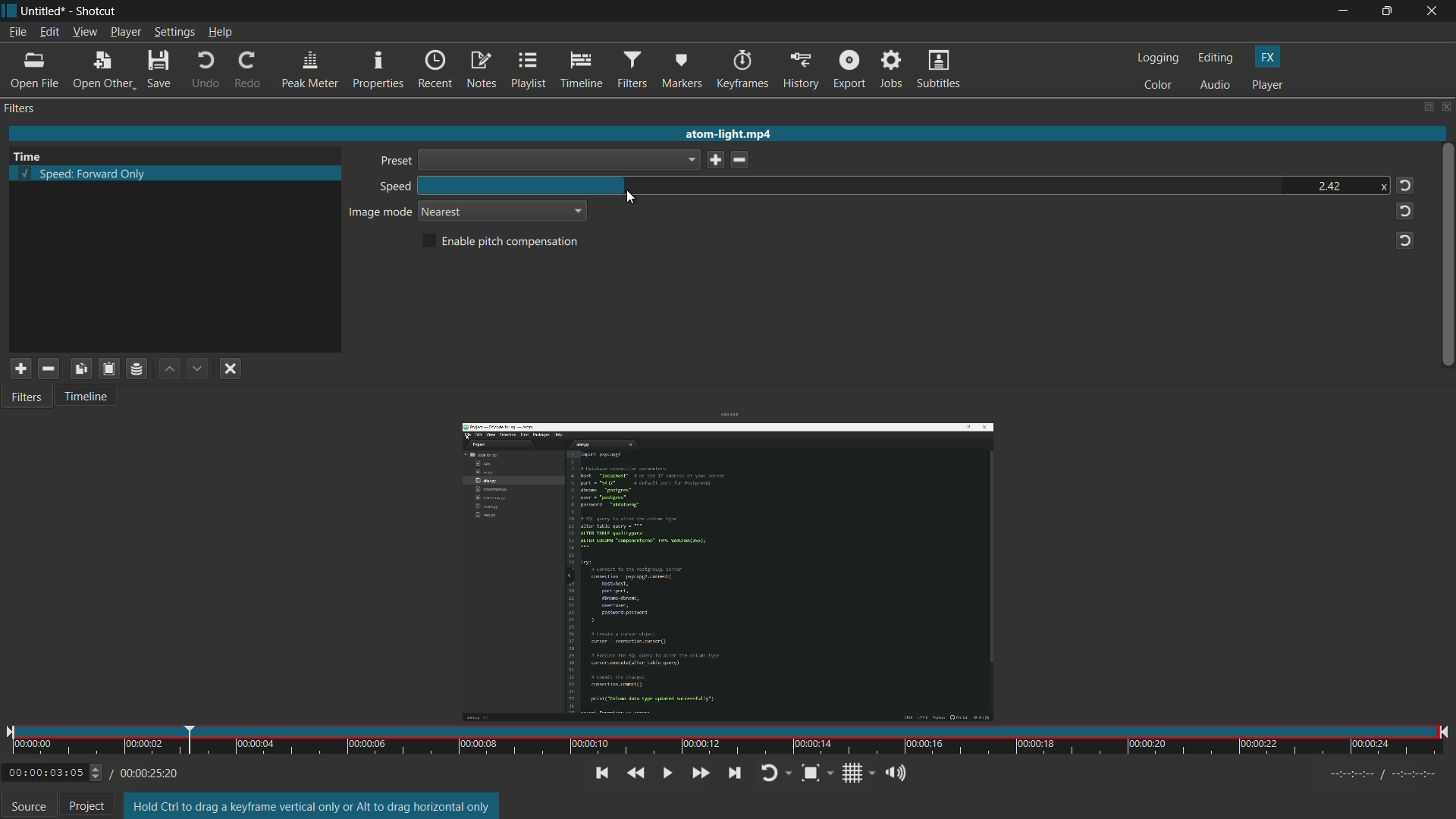 This screenshot has height=819, width=1456. What do you see at coordinates (48, 369) in the screenshot?
I see `remove selected filter` at bounding box center [48, 369].